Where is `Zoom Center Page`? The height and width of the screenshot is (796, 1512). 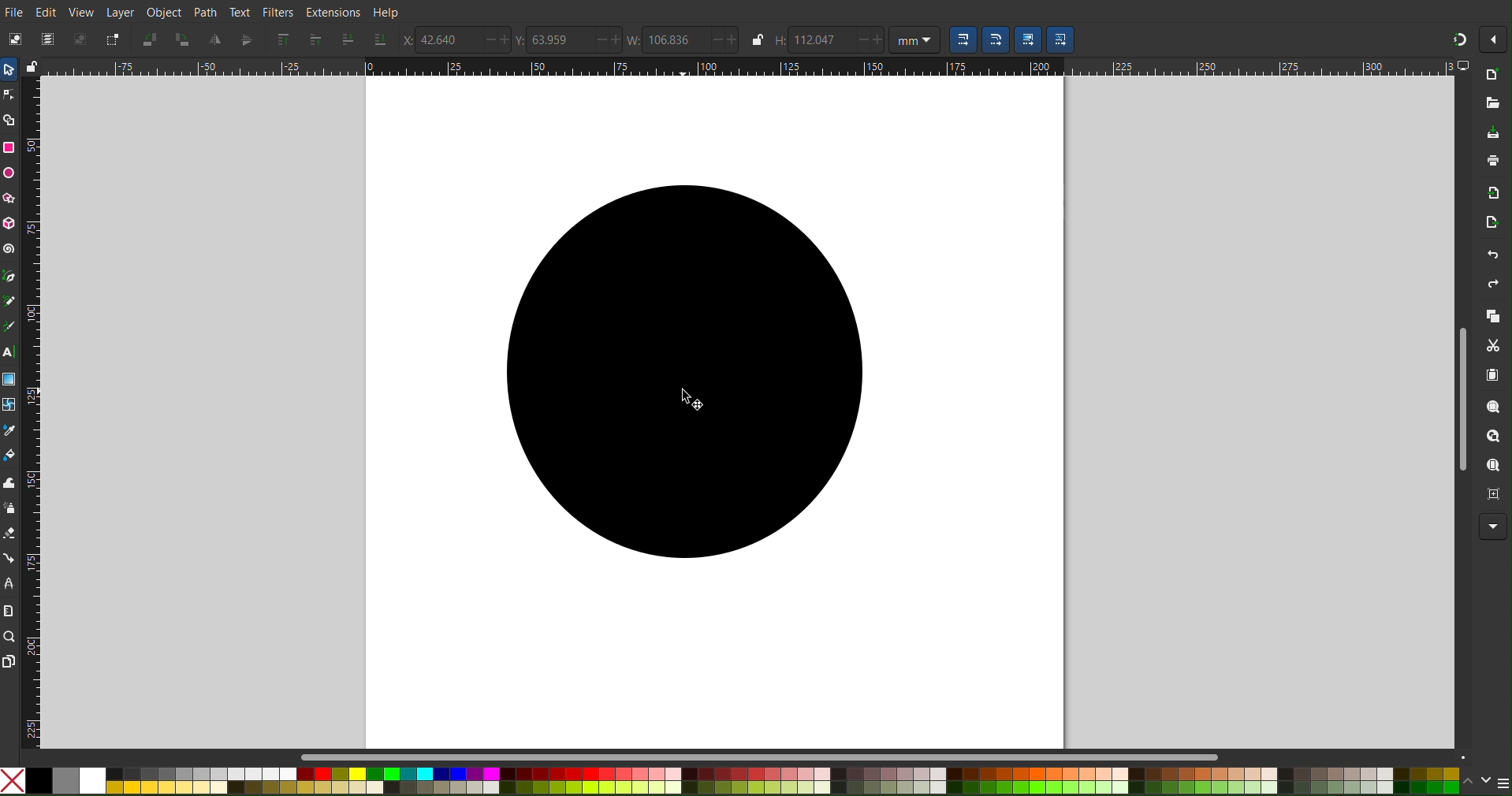
Zoom Center Page is located at coordinates (1493, 497).